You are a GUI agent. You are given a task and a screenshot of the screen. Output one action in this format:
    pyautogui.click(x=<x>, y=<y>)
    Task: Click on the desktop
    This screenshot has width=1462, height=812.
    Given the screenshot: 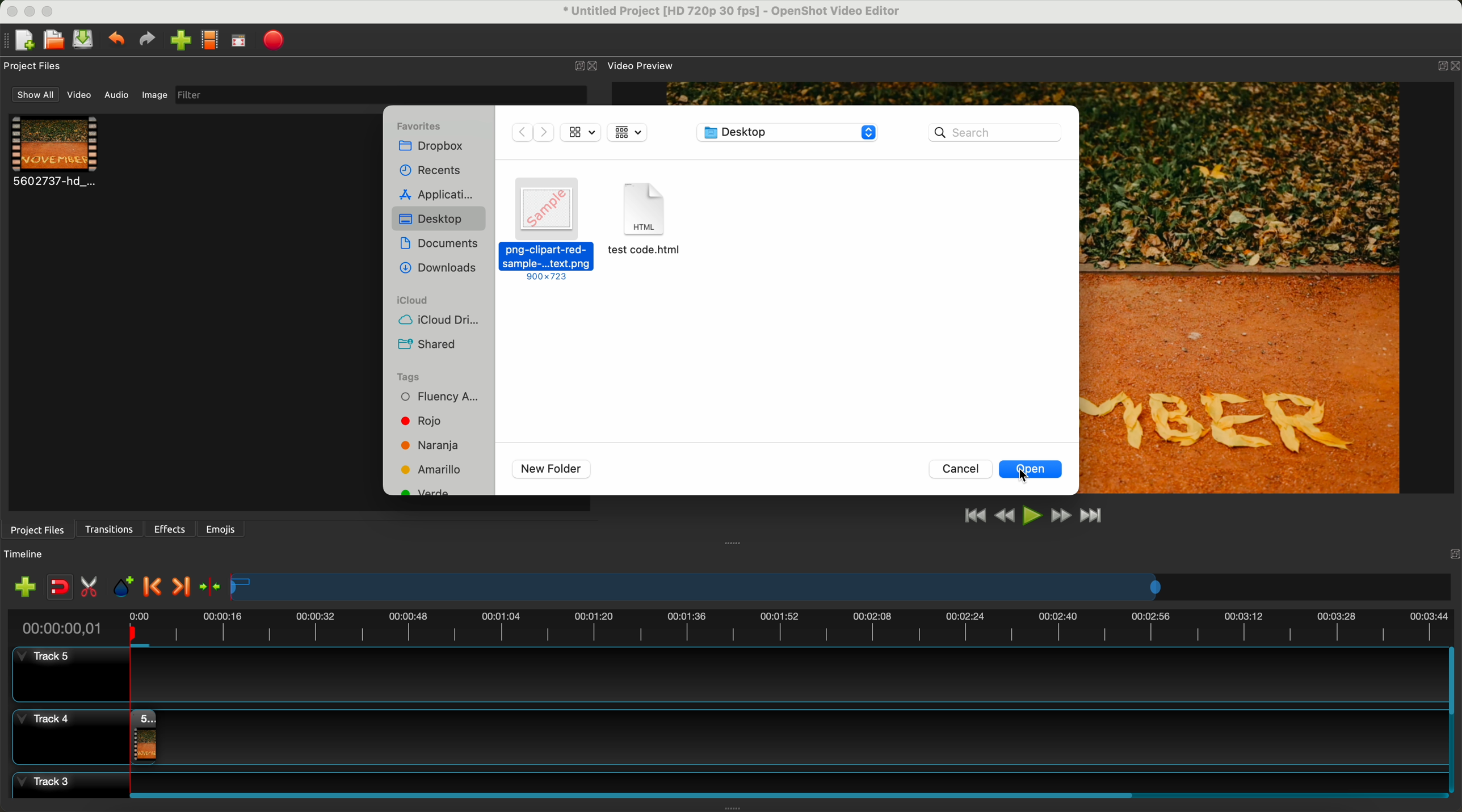 What is the action you would take?
    pyautogui.click(x=439, y=219)
    